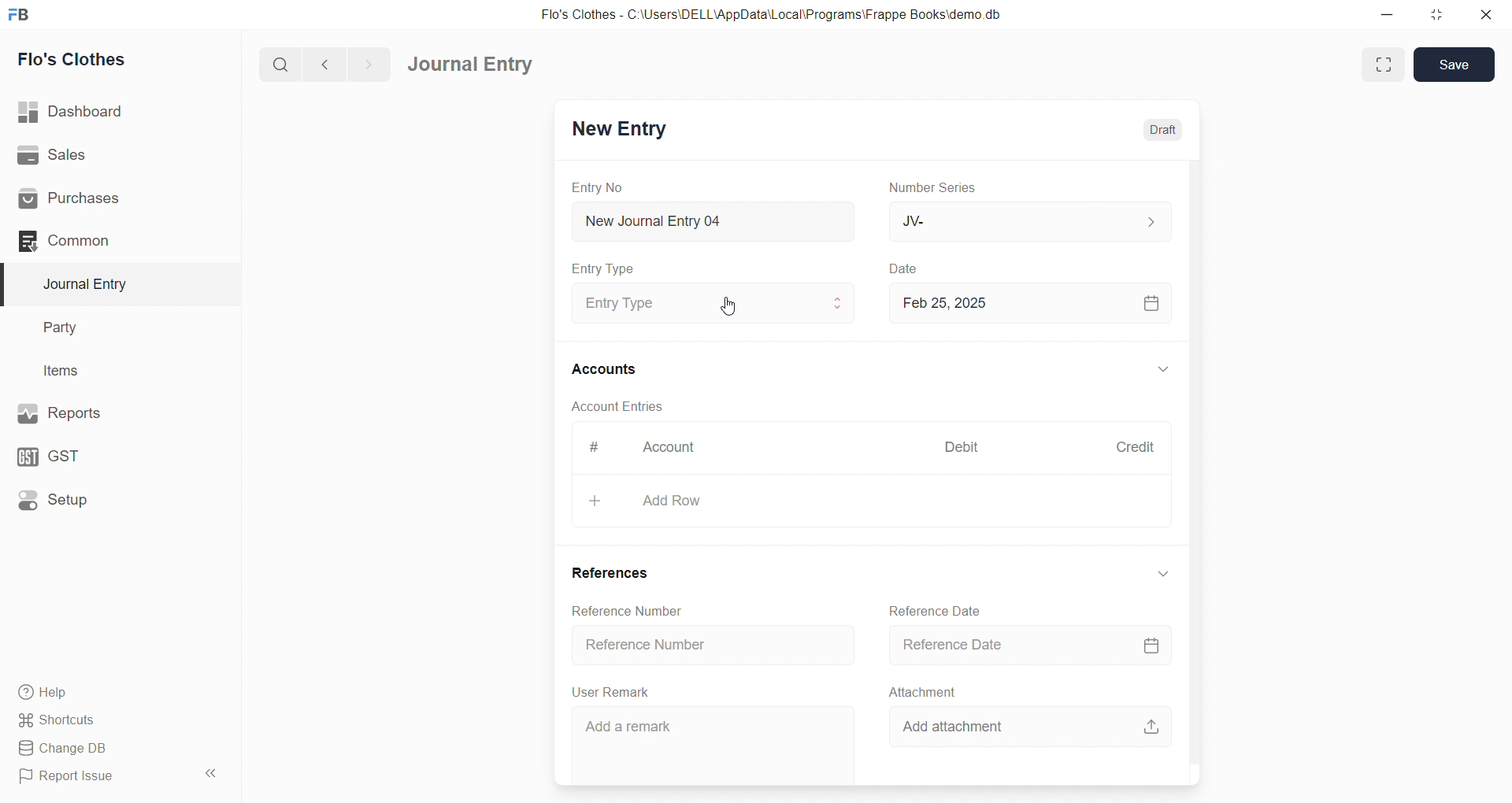 The height and width of the screenshot is (803, 1512). What do you see at coordinates (714, 742) in the screenshot?
I see `Add a remark` at bounding box center [714, 742].